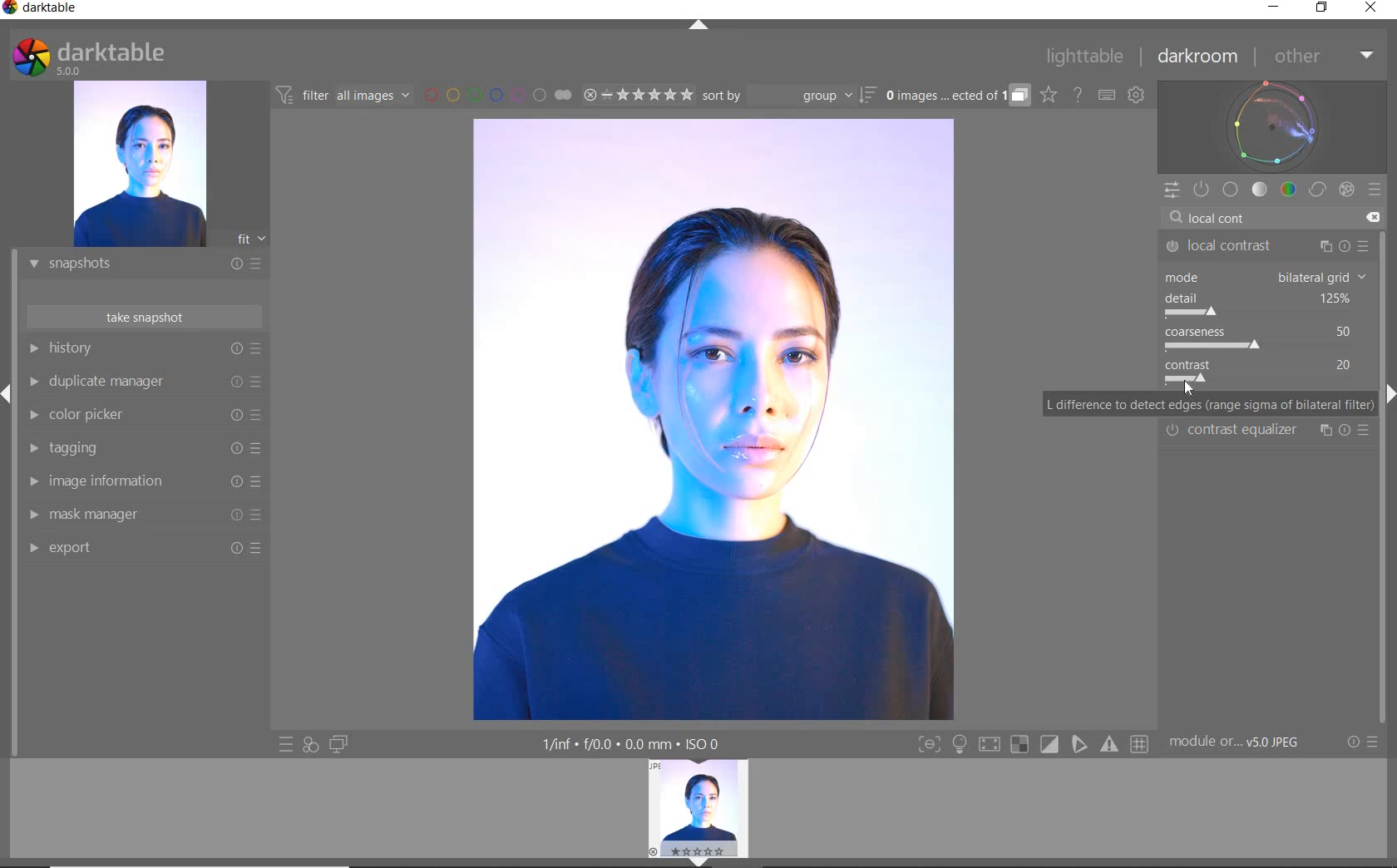 This screenshot has height=868, width=1397. What do you see at coordinates (1189, 387) in the screenshot?
I see `Cursor` at bounding box center [1189, 387].